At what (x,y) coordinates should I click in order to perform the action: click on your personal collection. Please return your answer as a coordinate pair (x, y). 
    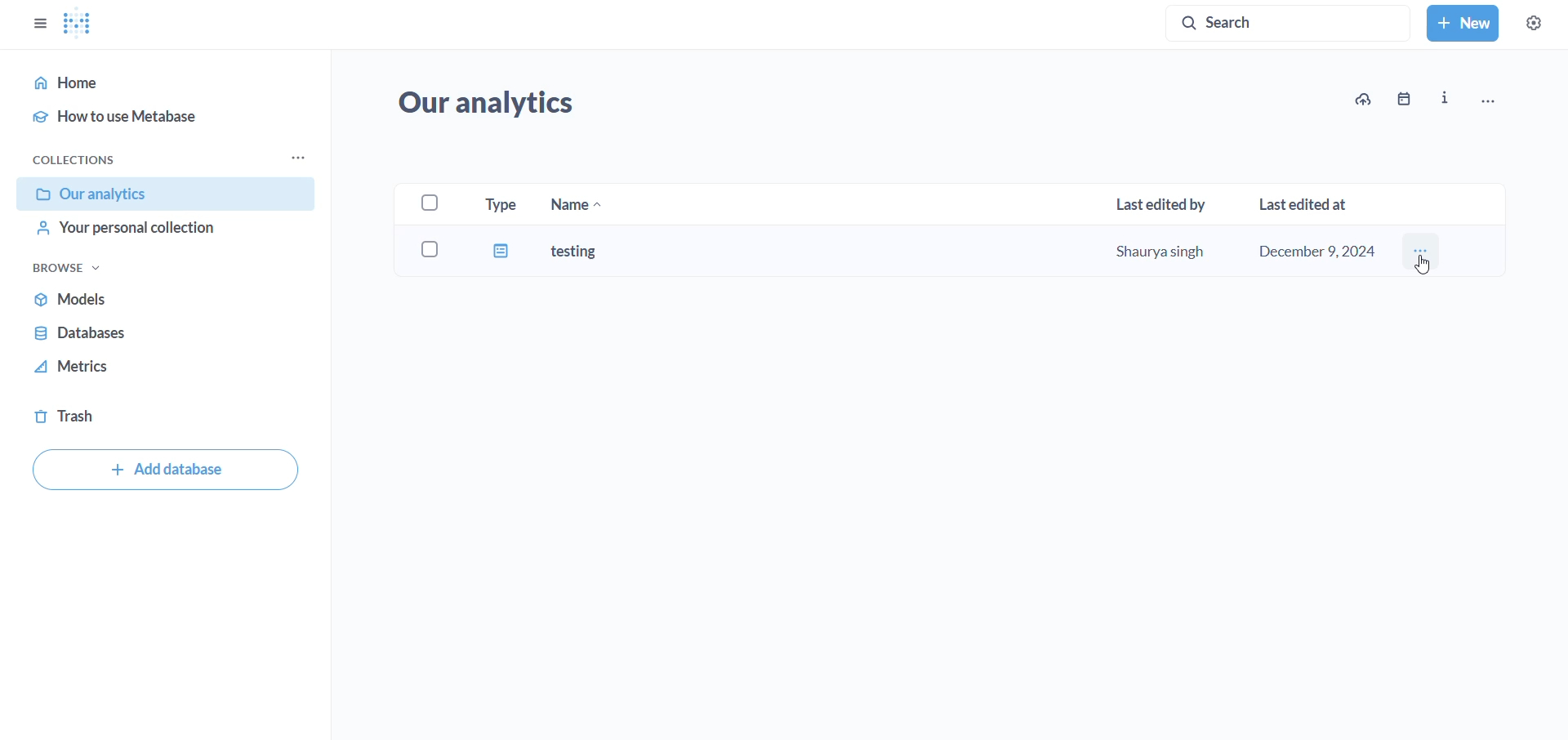
    Looking at the image, I should click on (154, 236).